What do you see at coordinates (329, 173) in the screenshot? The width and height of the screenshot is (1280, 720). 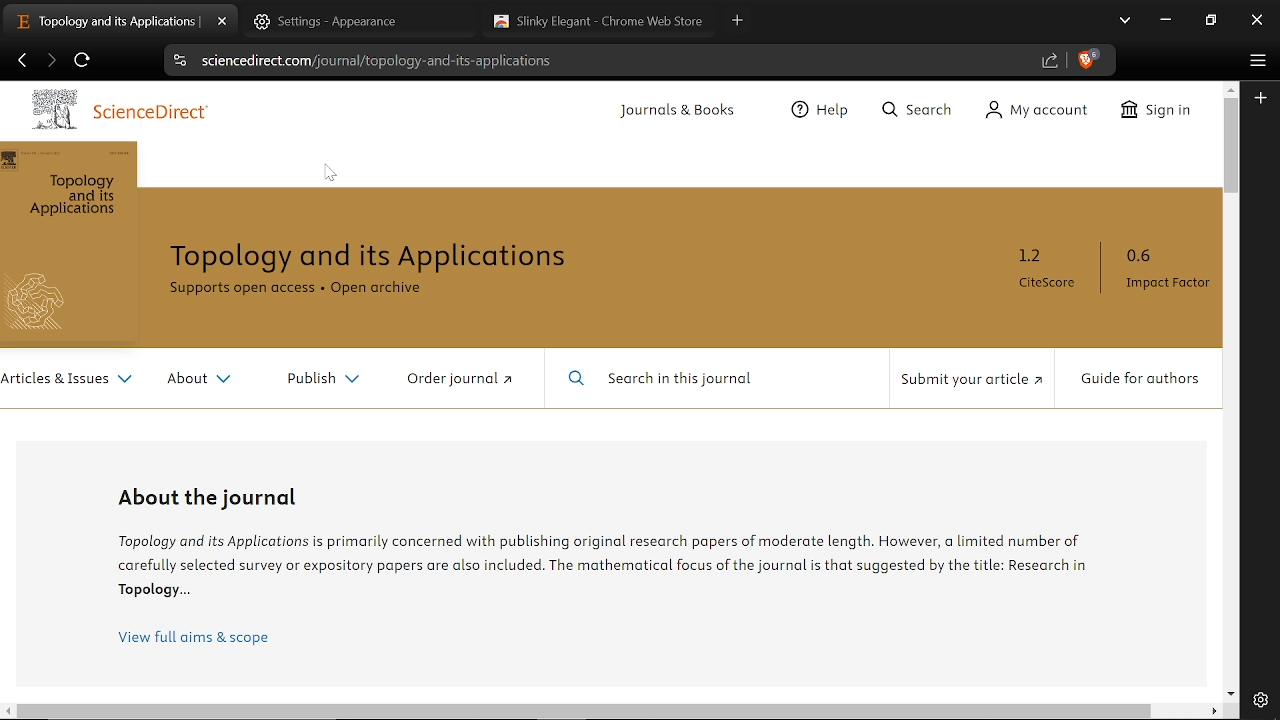 I see `Cursor` at bounding box center [329, 173].